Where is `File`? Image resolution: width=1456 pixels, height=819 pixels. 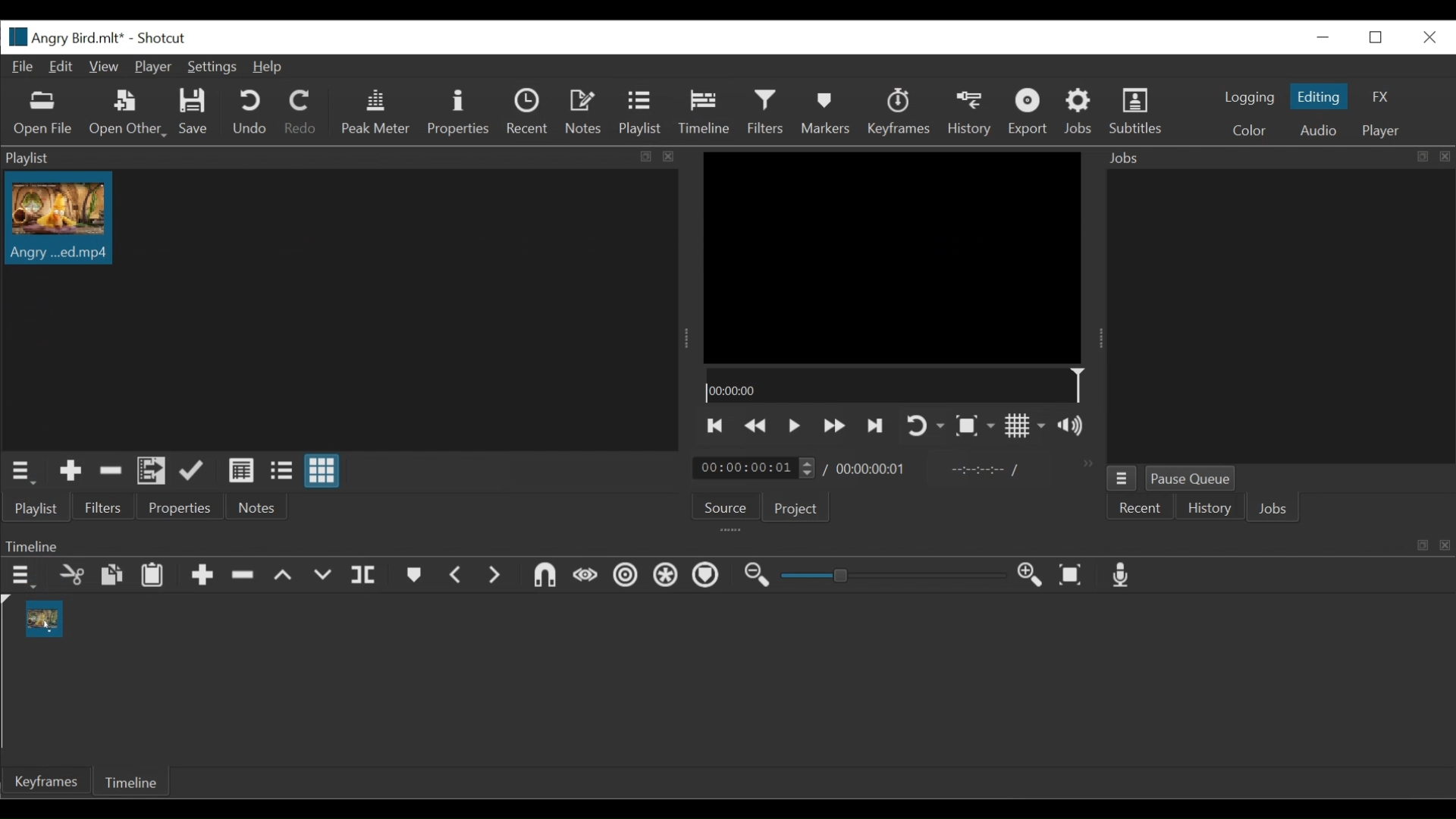 File is located at coordinates (24, 67).